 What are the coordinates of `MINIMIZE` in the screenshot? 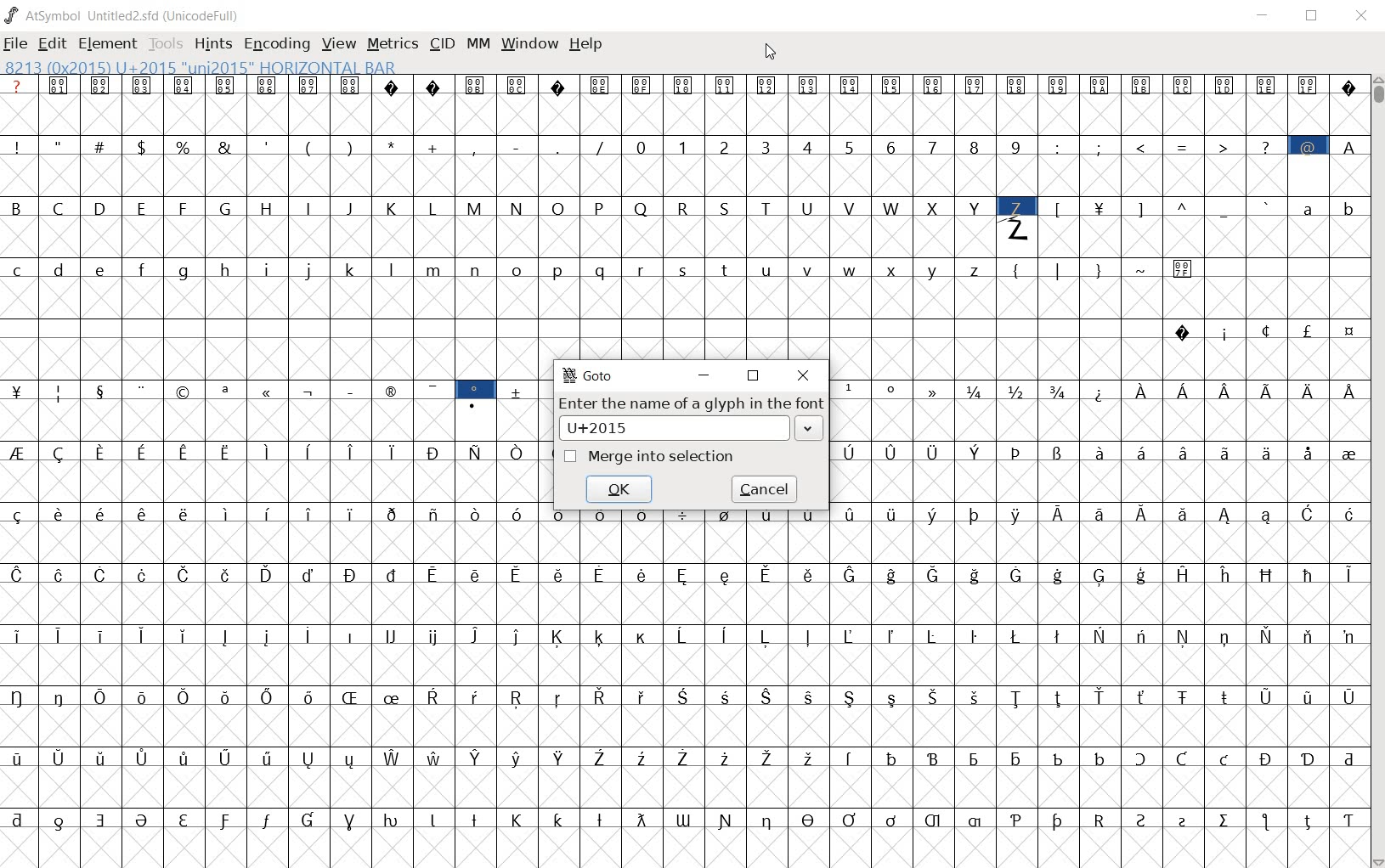 It's located at (704, 375).